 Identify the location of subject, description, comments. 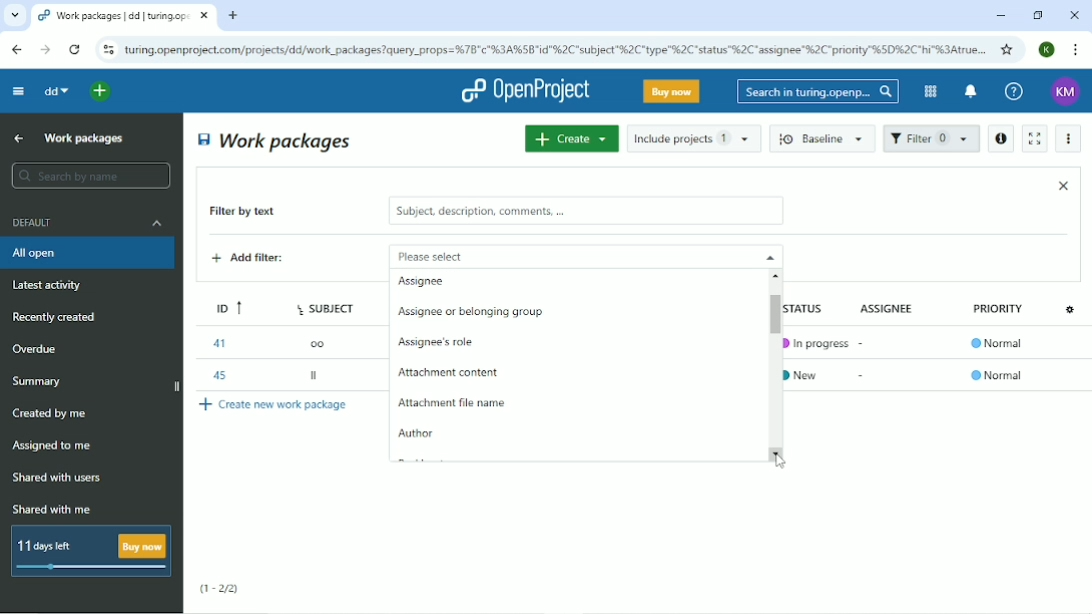
(585, 211).